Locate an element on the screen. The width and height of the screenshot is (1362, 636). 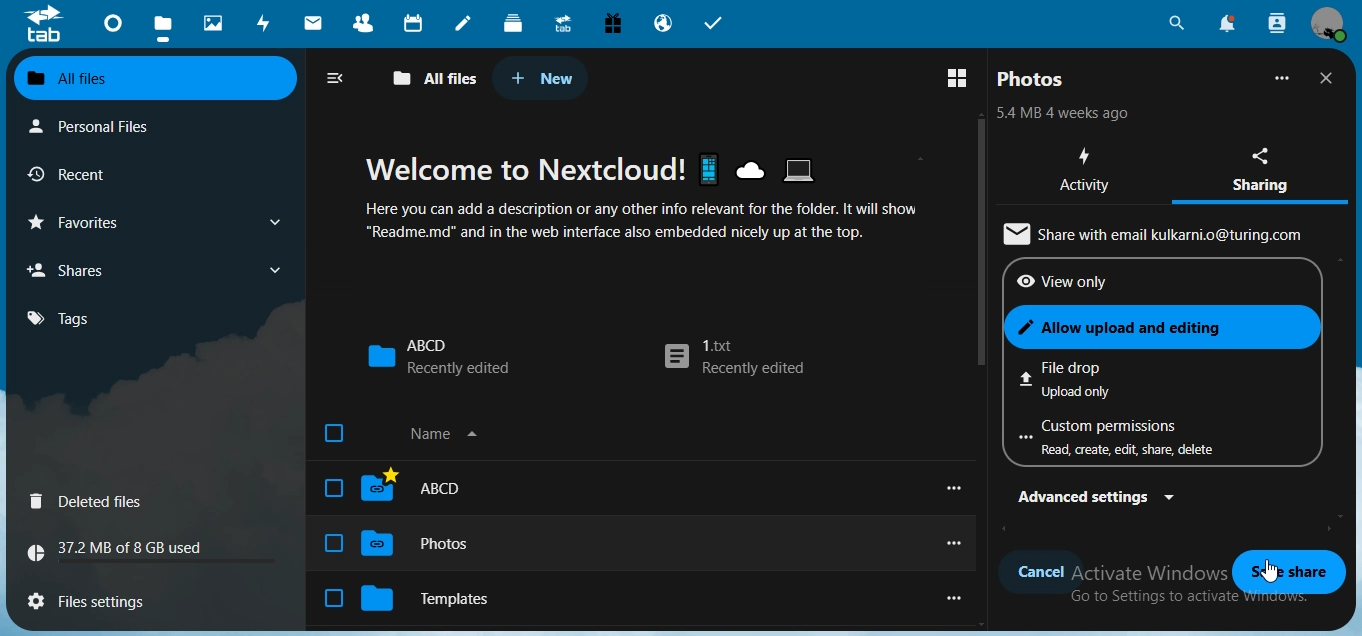
text is located at coordinates (672, 197).